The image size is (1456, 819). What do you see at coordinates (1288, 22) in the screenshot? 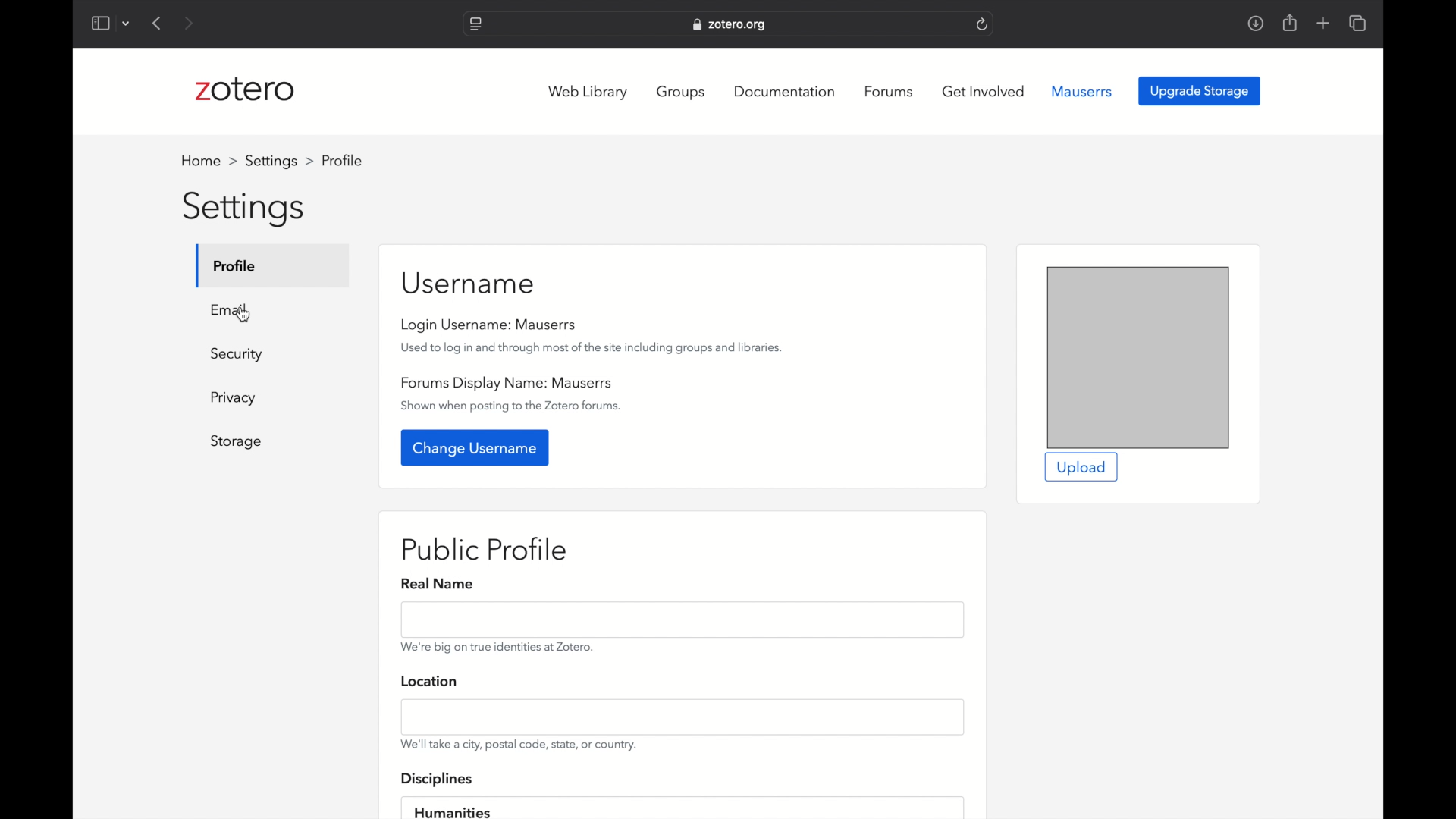
I see `share` at bounding box center [1288, 22].